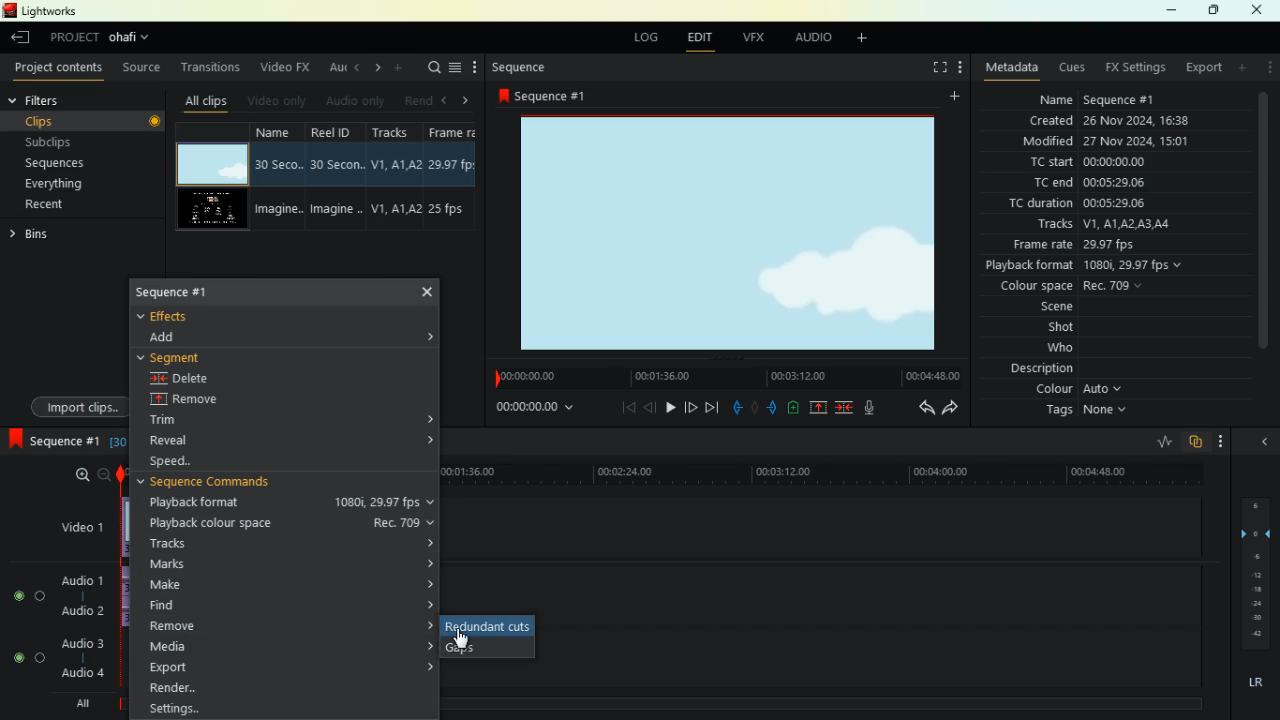  What do you see at coordinates (42, 596) in the screenshot?
I see `toggle` at bounding box center [42, 596].